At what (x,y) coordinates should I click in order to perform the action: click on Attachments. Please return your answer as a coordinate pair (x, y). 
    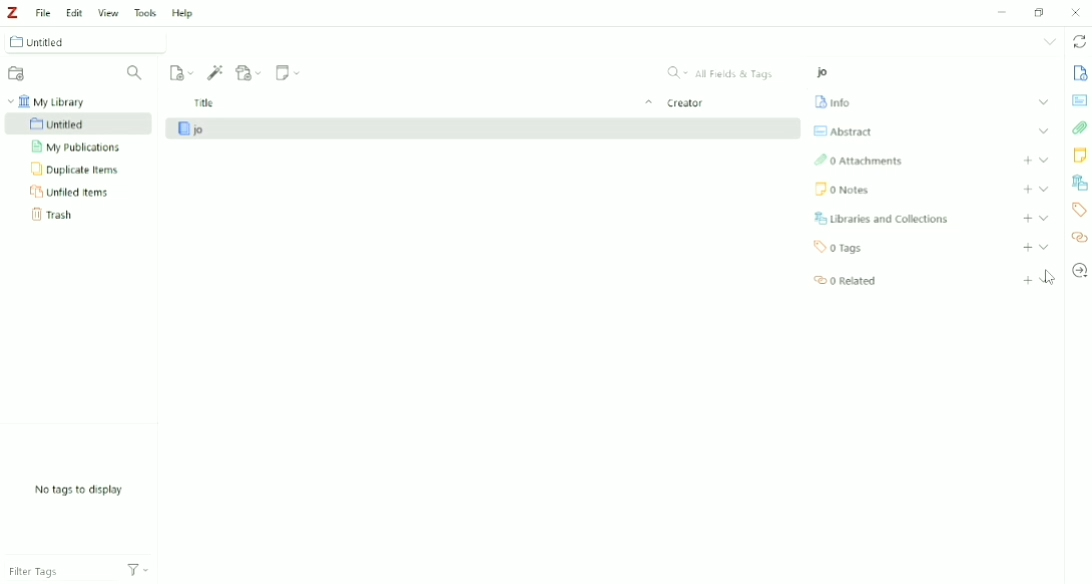
    Looking at the image, I should click on (1078, 128).